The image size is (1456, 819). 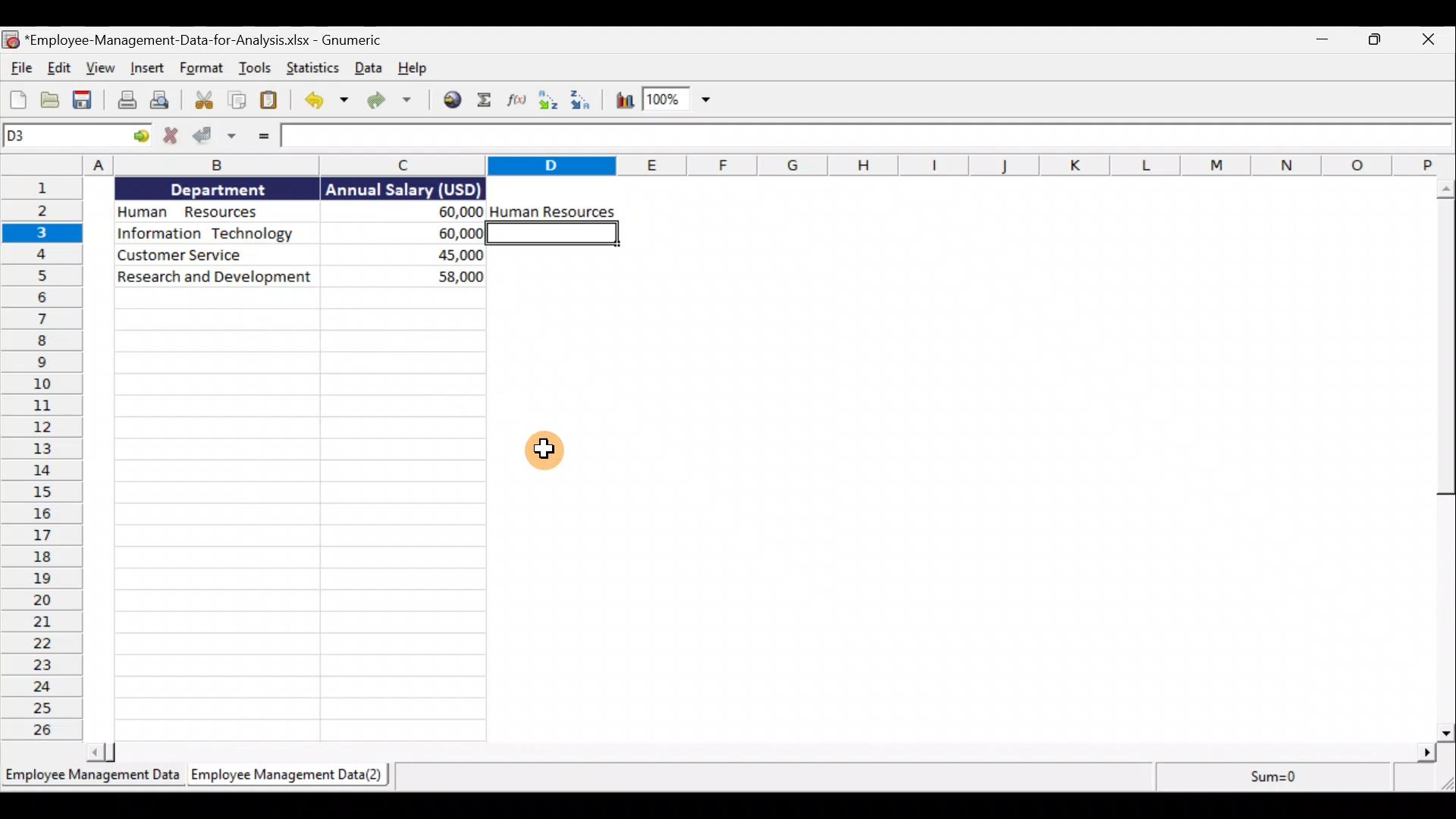 I want to click on Accept change, so click(x=220, y=136).